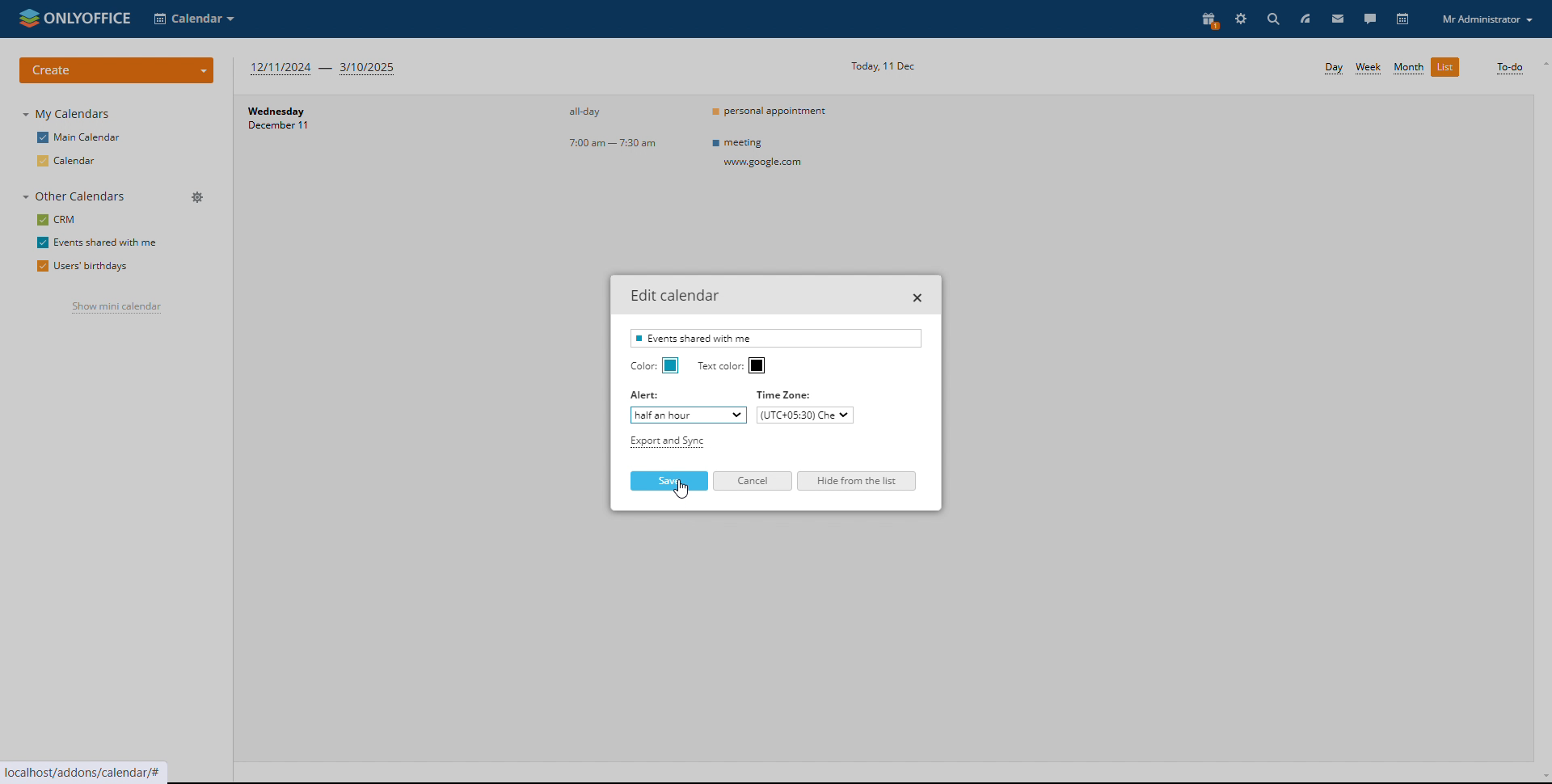 The width and height of the screenshot is (1552, 784). Describe the element at coordinates (71, 160) in the screenshot. I see `calendar` at that location.